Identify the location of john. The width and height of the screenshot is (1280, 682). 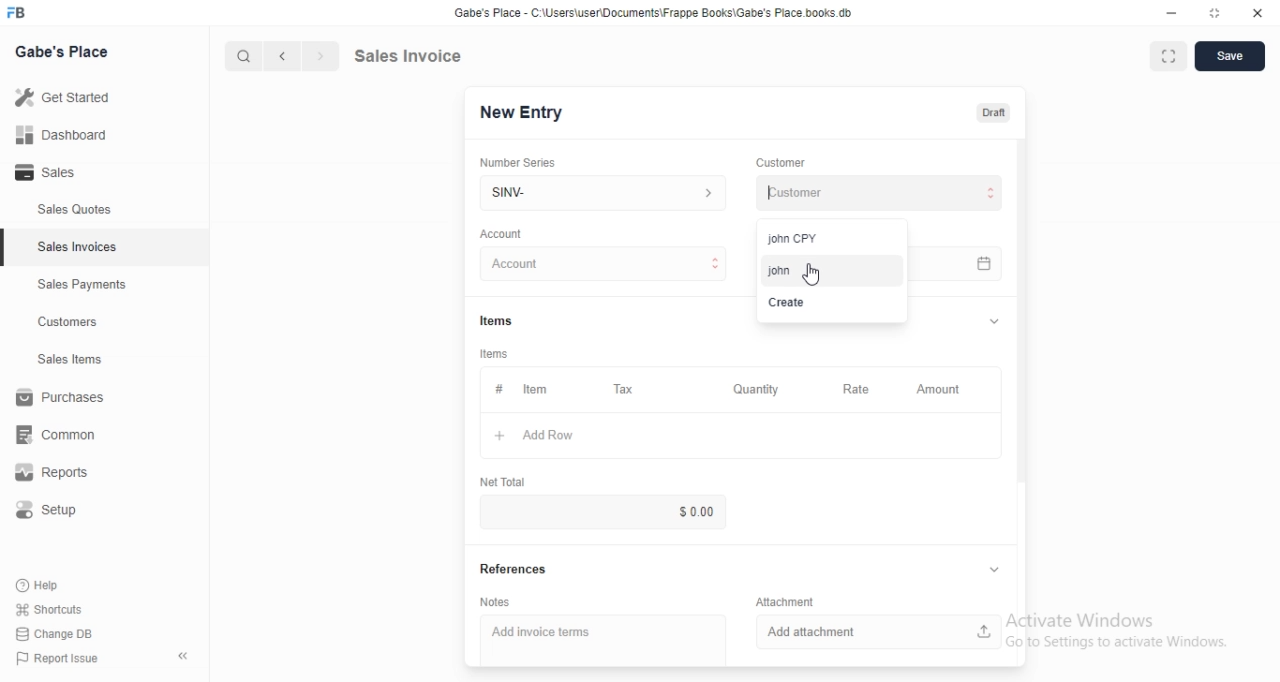
(824, 268).